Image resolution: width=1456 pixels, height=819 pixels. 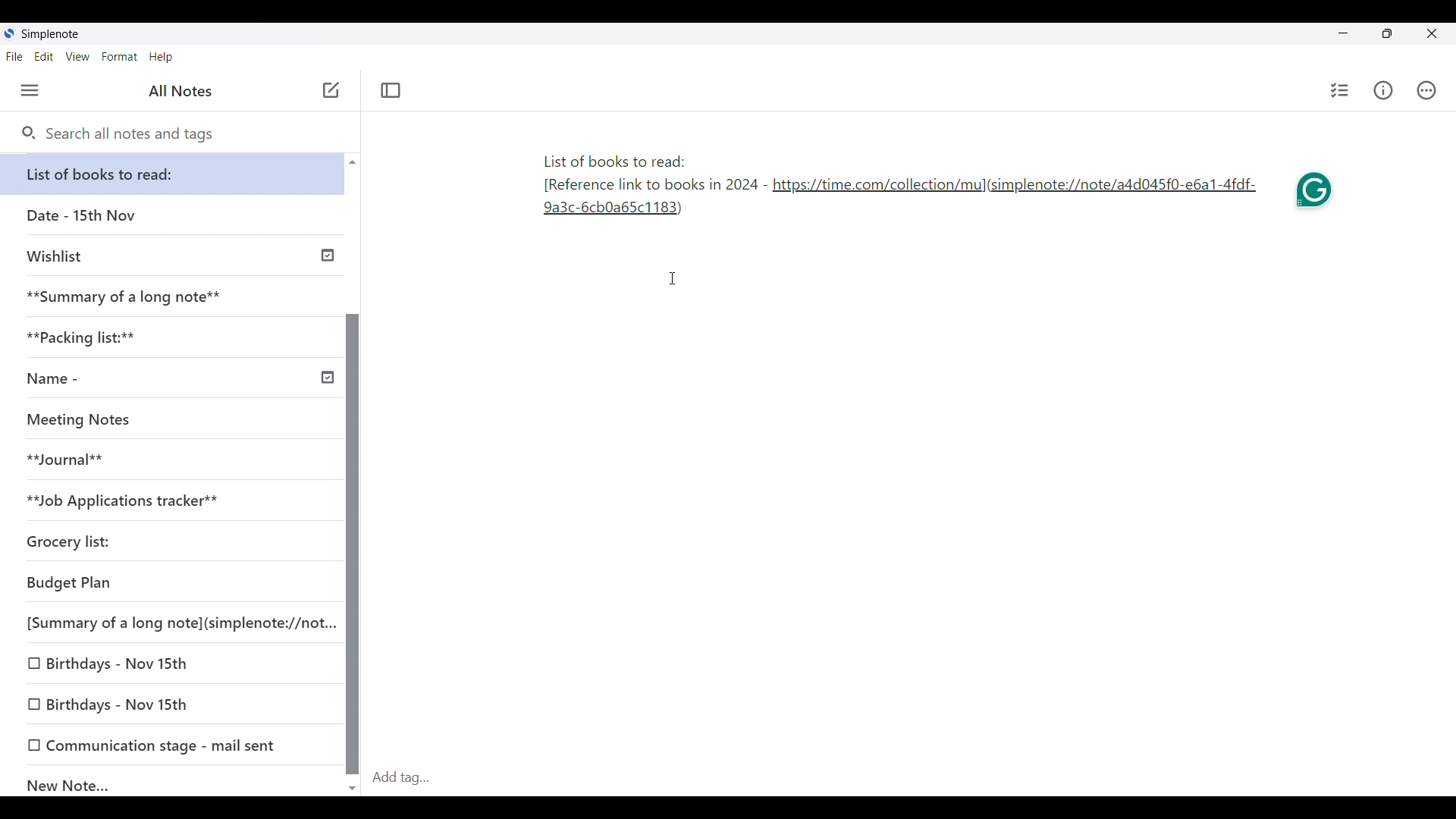 I want to click on Info, so click(x=1383, y=90).